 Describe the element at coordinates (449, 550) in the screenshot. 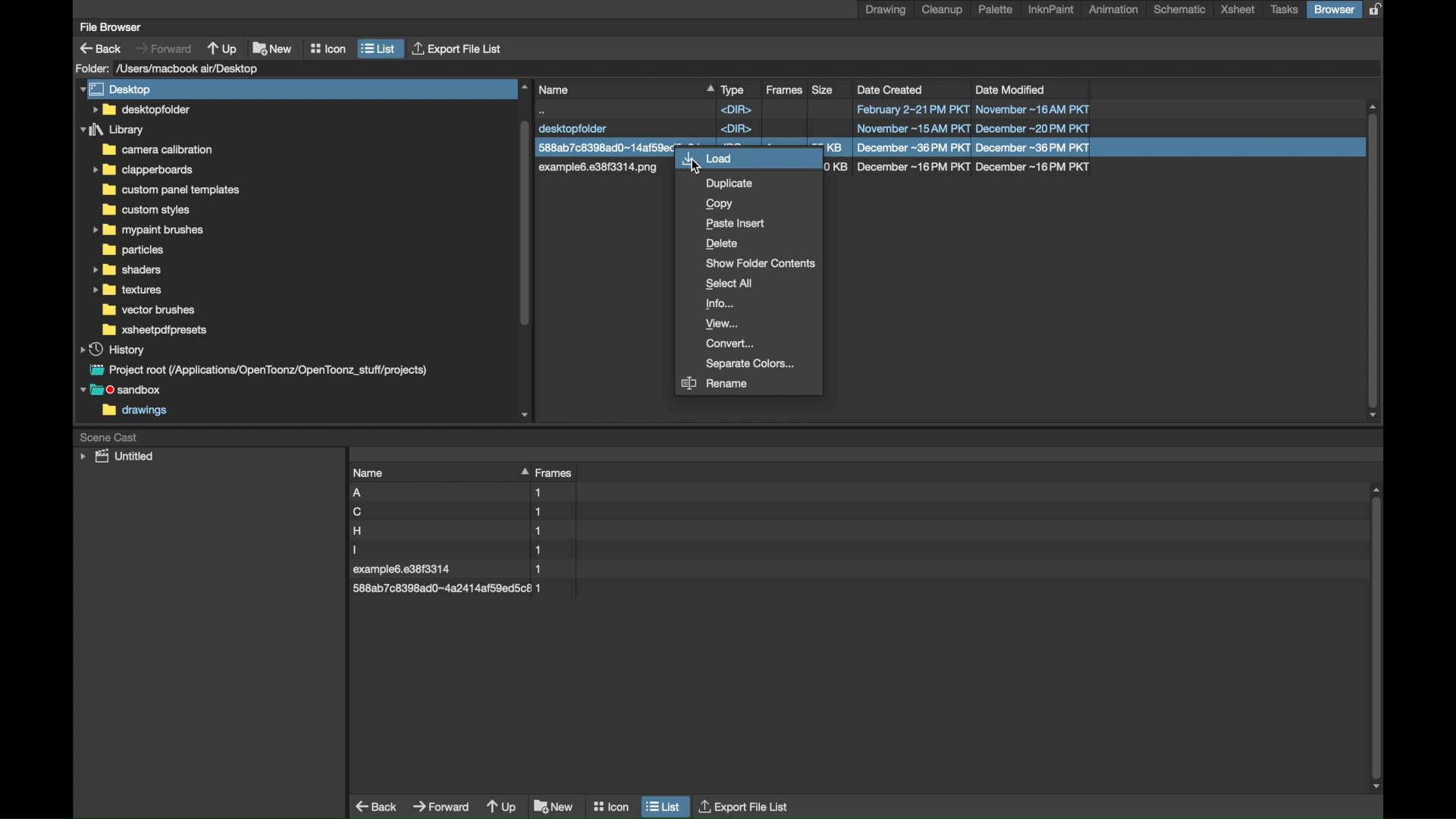

I see `file` at that location.